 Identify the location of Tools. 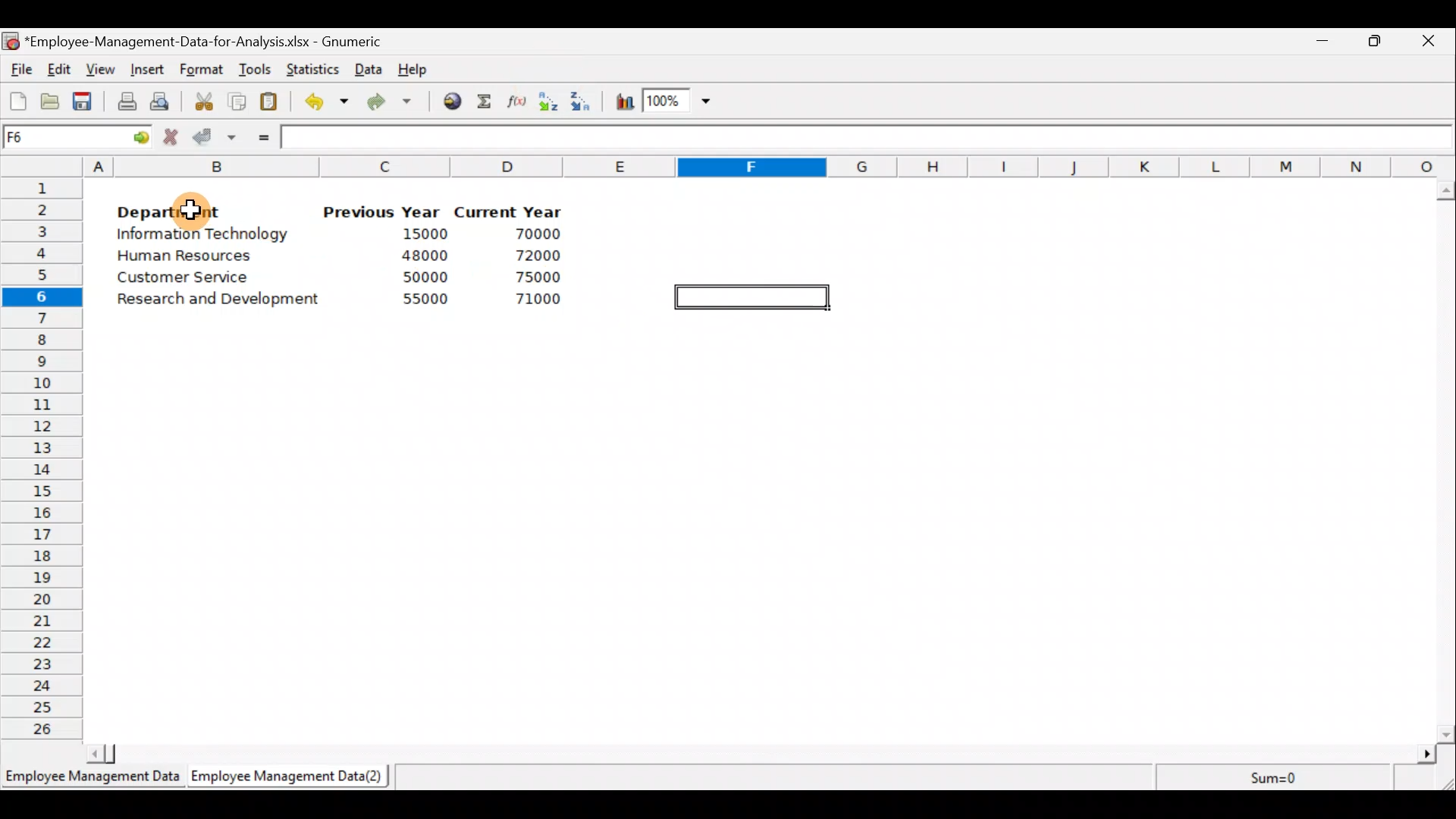
(254, 71).